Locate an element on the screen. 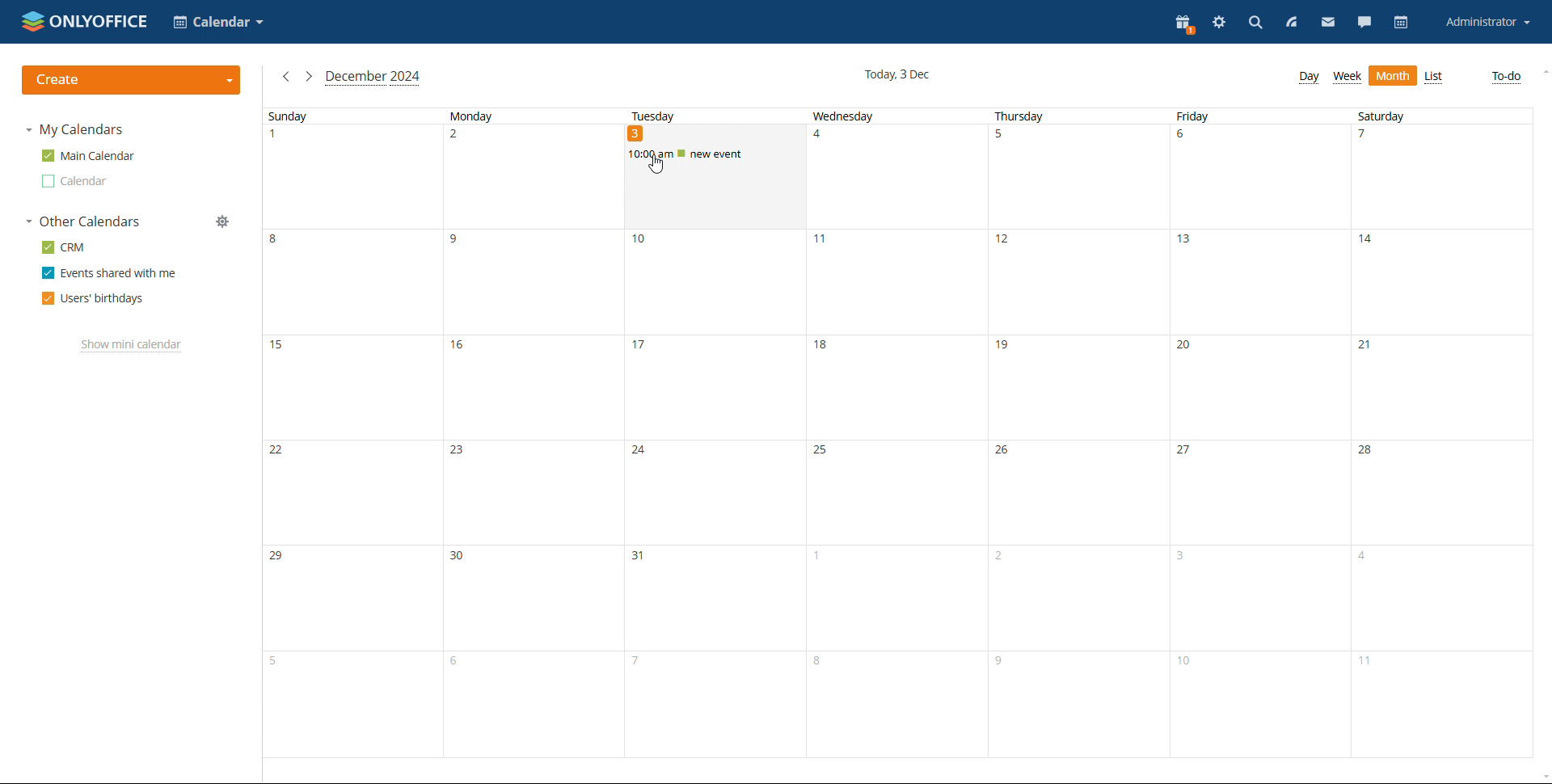 This screenshot has width=1552, height=784. 24 is located at coordinates (713, 493).